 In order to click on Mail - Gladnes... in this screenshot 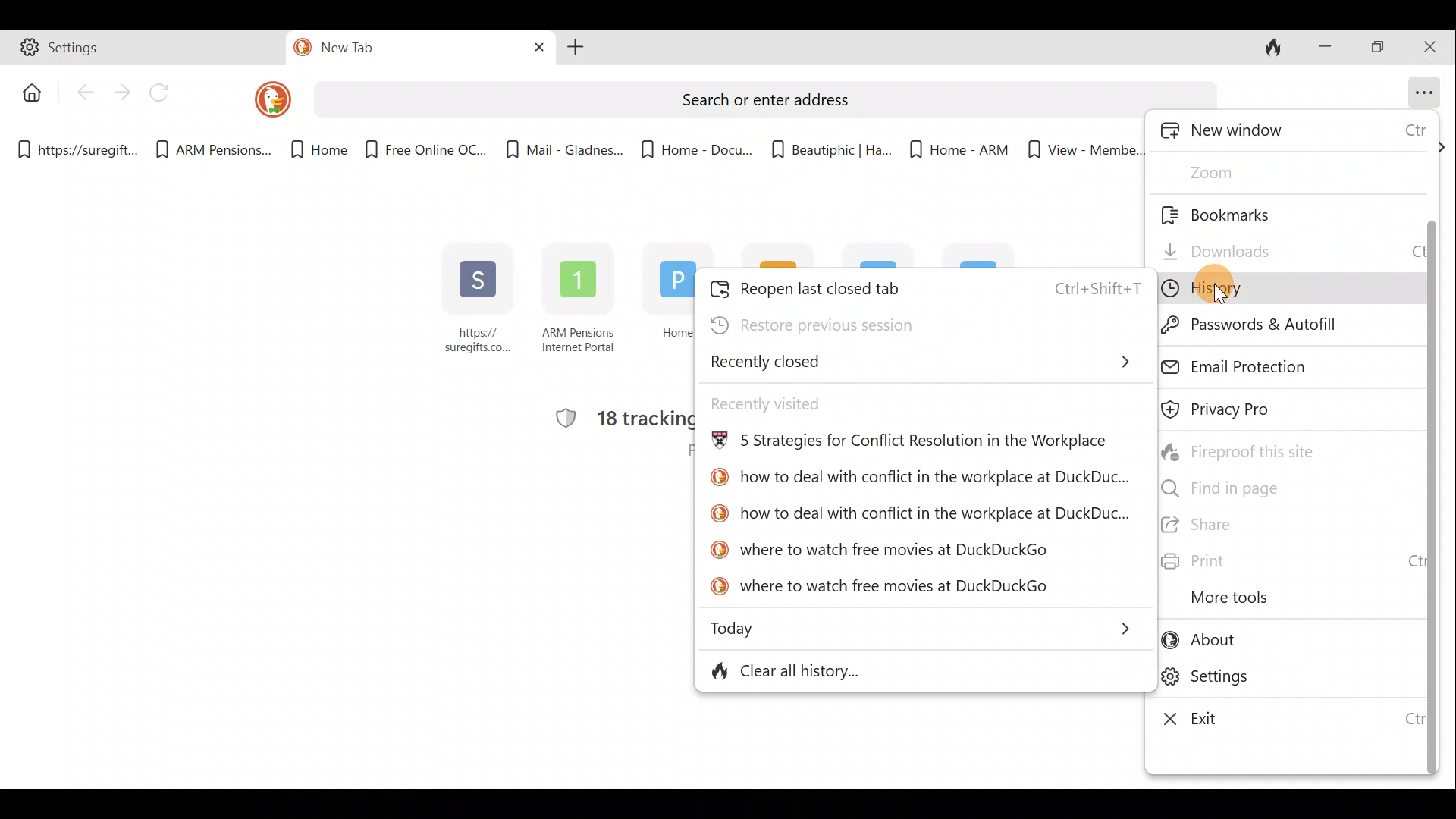, I will do `click(564, 144)`.